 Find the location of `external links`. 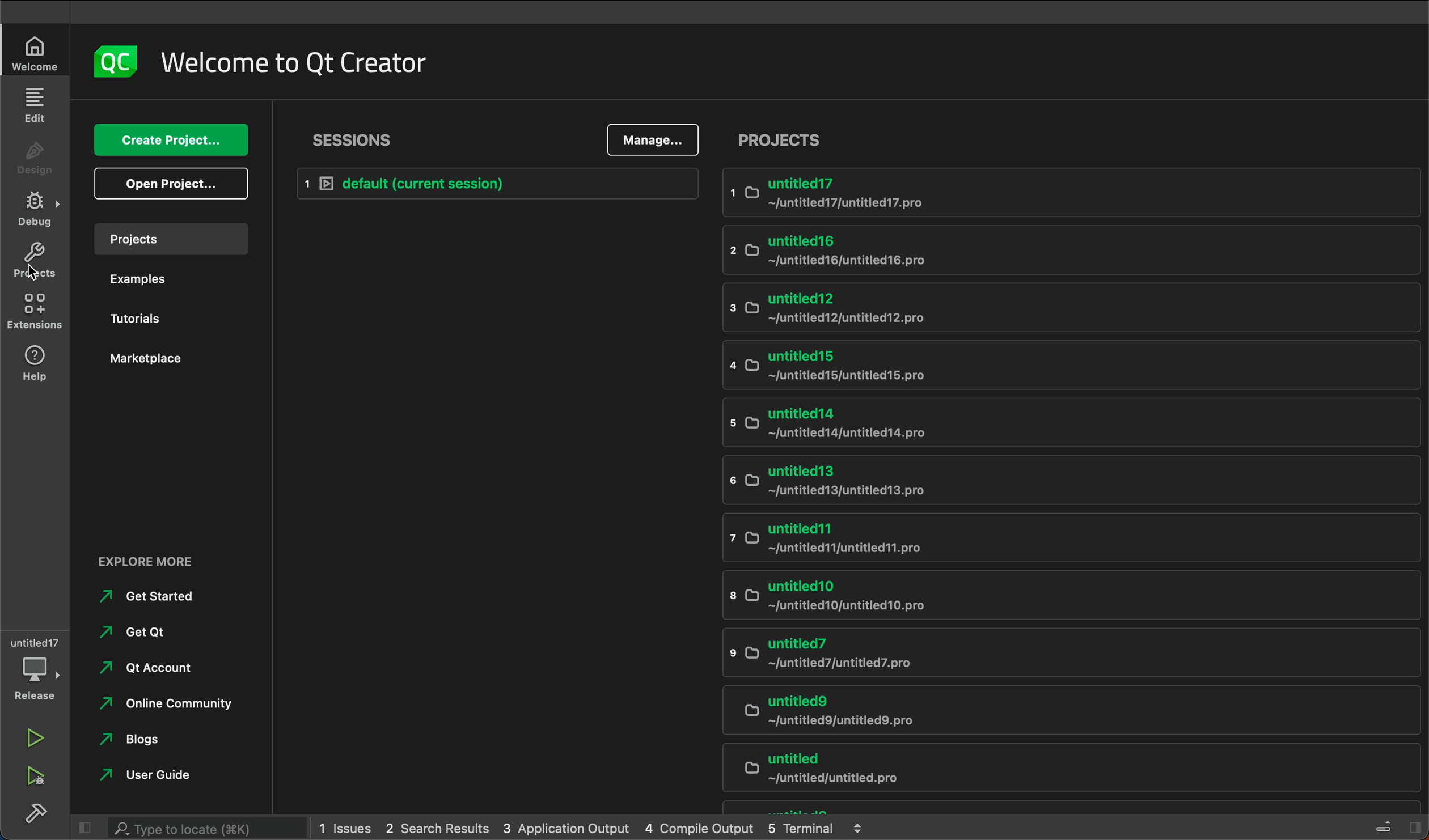

external links is located at coordinates (175, 562).